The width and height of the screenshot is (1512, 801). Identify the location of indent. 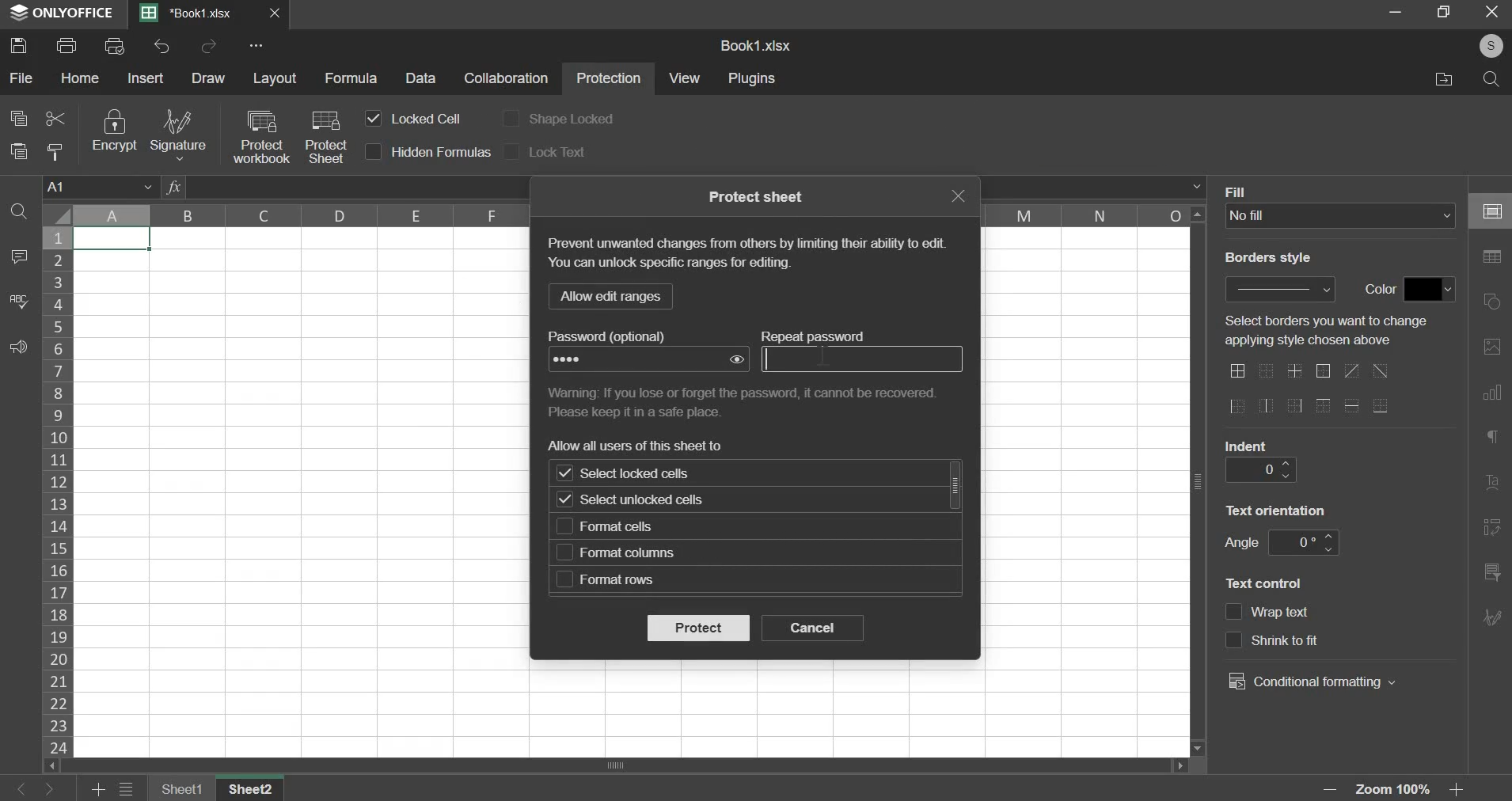
(1259, 469).